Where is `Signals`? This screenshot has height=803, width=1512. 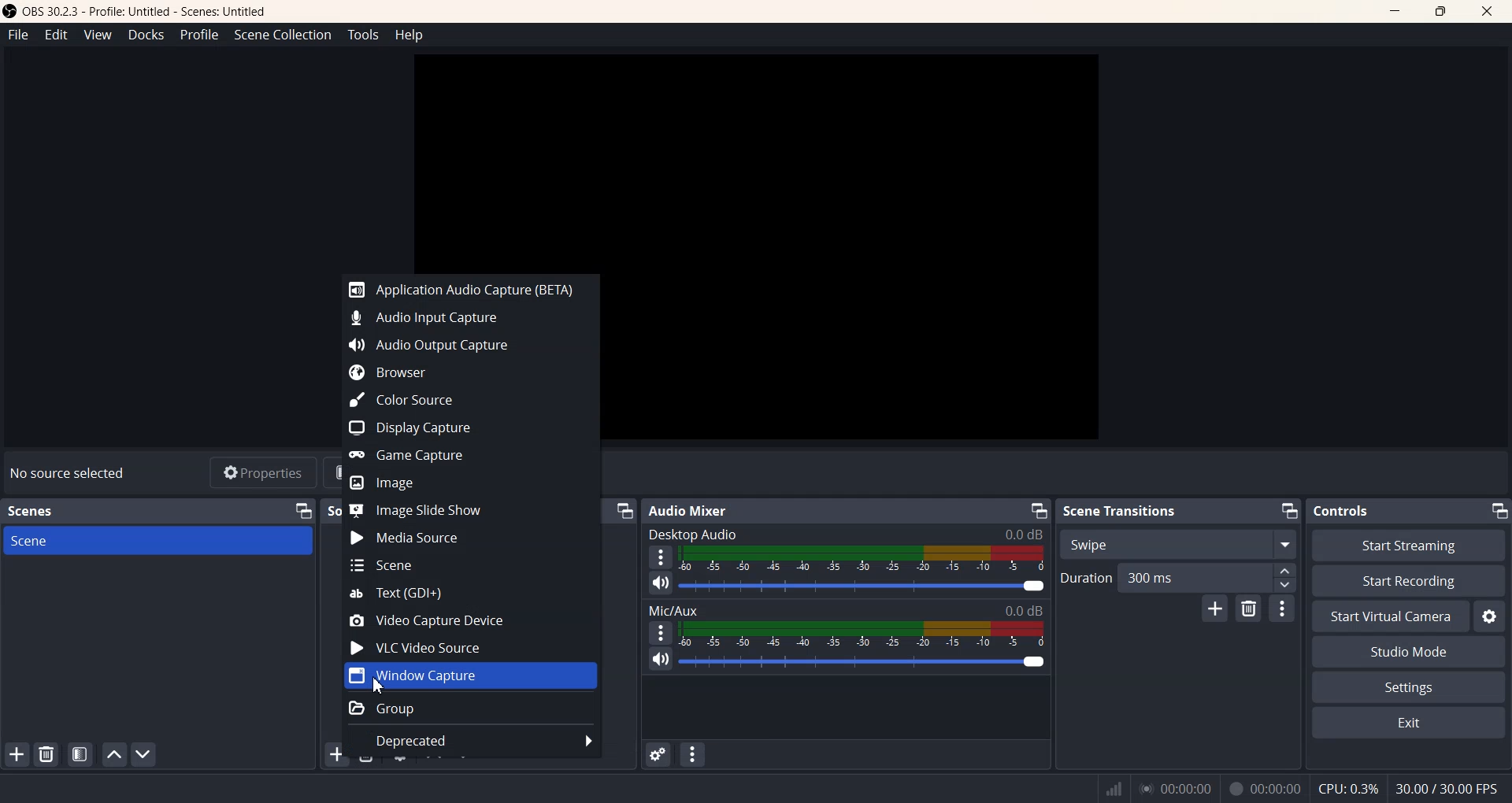 Signals is located at coordinates (1107, 789).